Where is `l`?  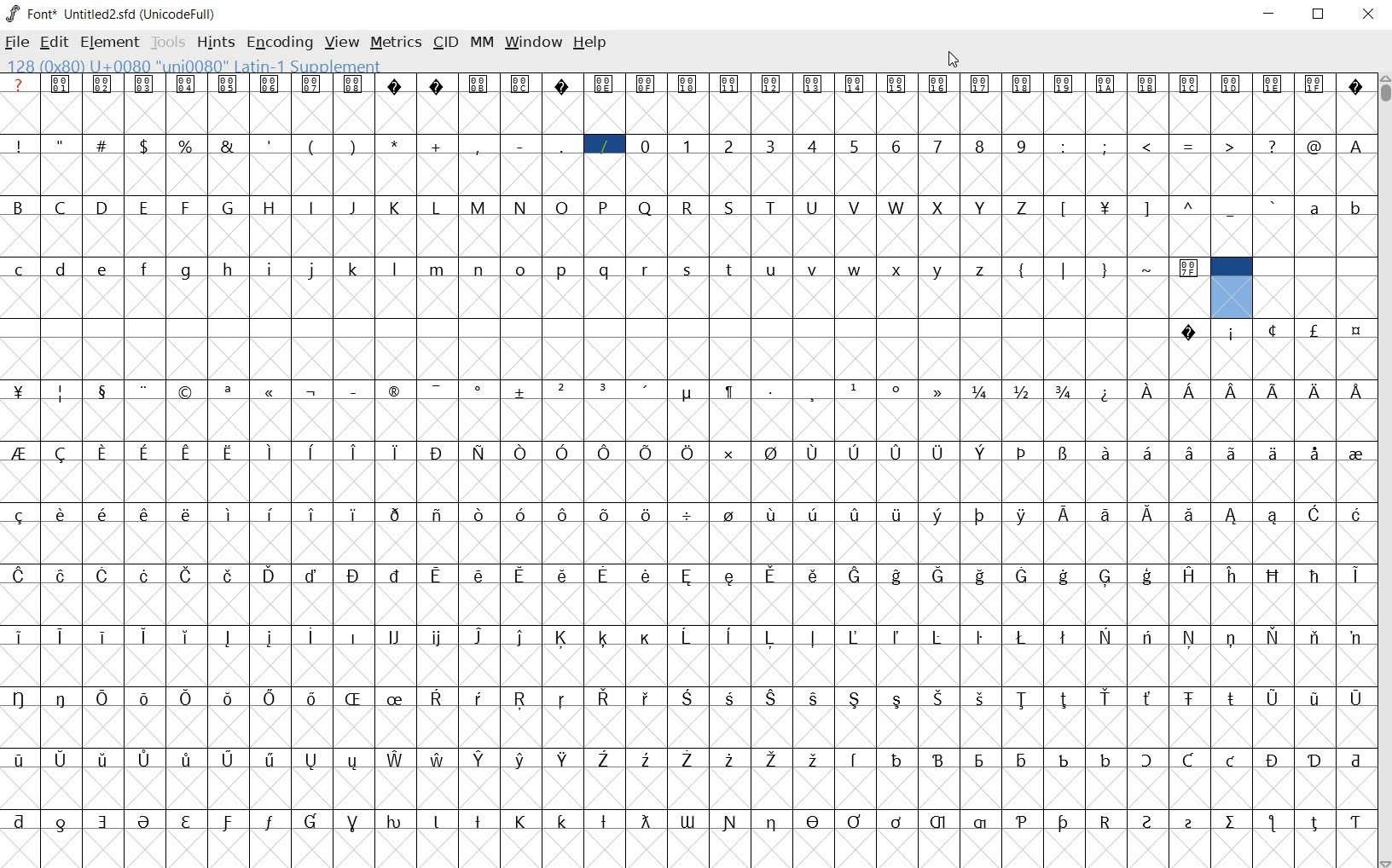
l is located at coordinates (397, 267).